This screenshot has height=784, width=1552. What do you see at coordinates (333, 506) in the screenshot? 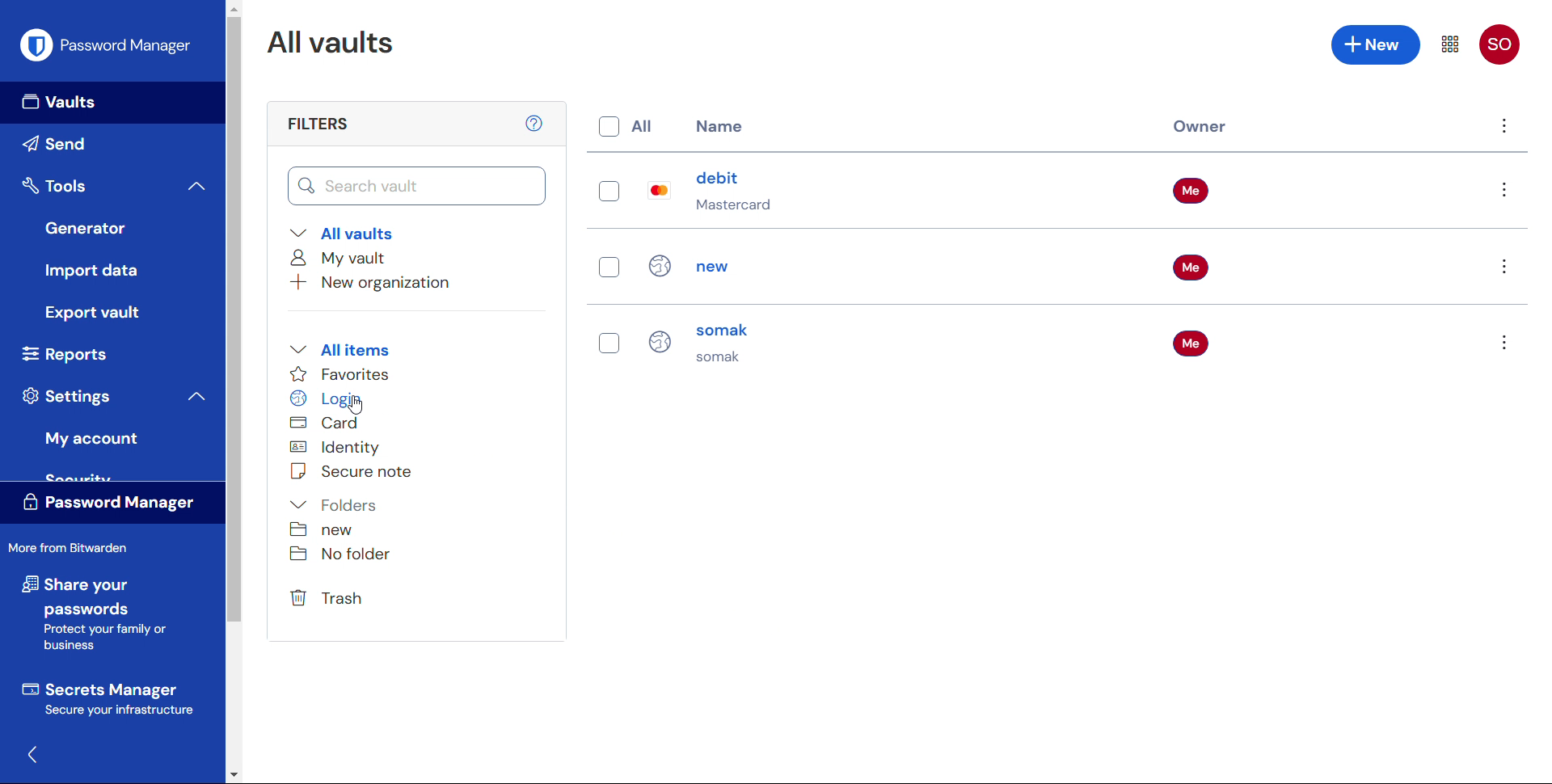
I see `Folders ` at bounding box center [333, 506].